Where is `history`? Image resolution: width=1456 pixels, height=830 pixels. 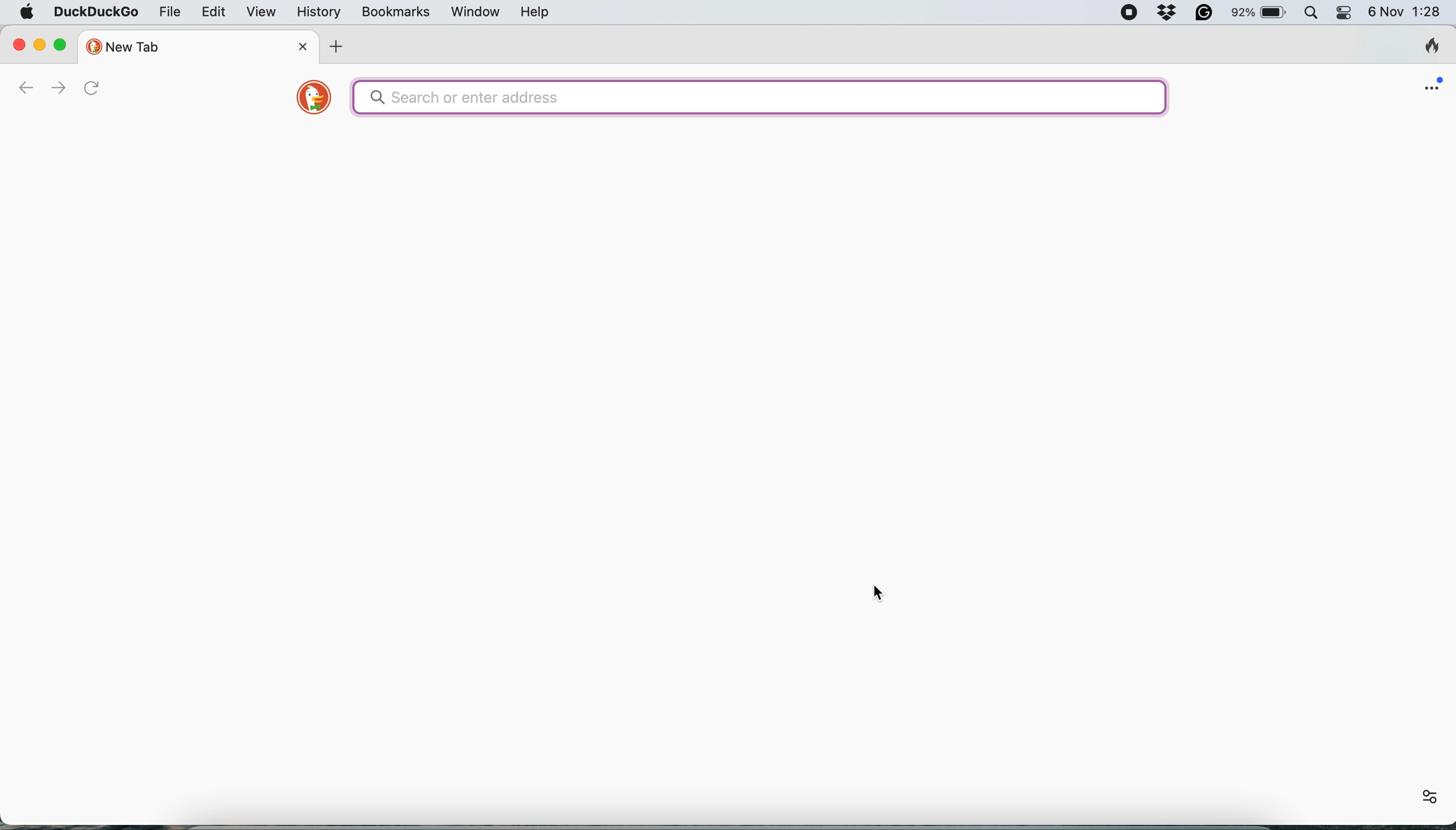
history is located at coordinates (322, 13).